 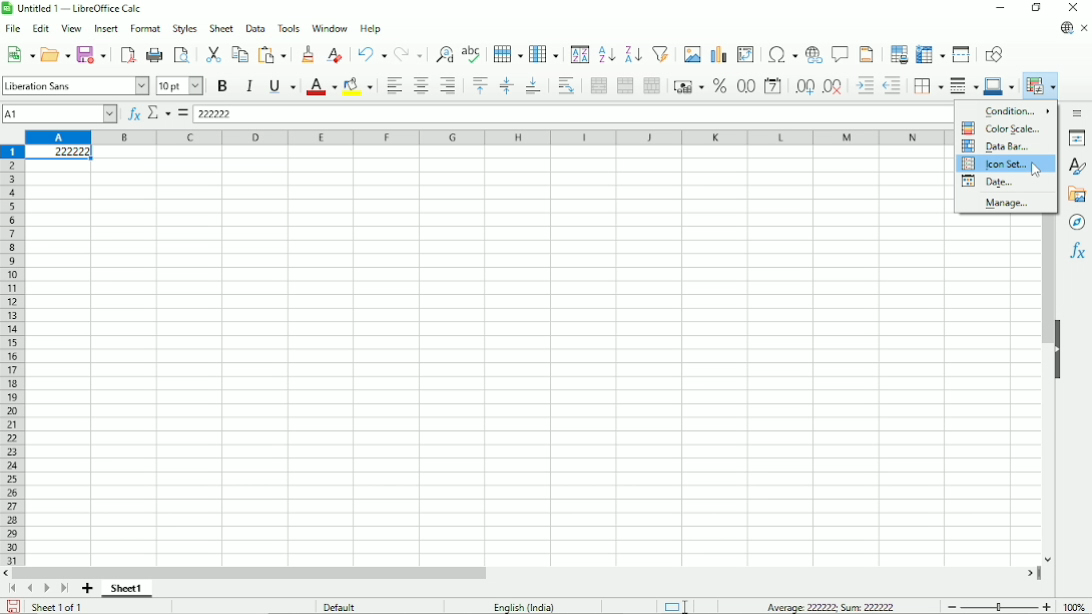 I want to click on Format as currency, so click(x=688, y=86).